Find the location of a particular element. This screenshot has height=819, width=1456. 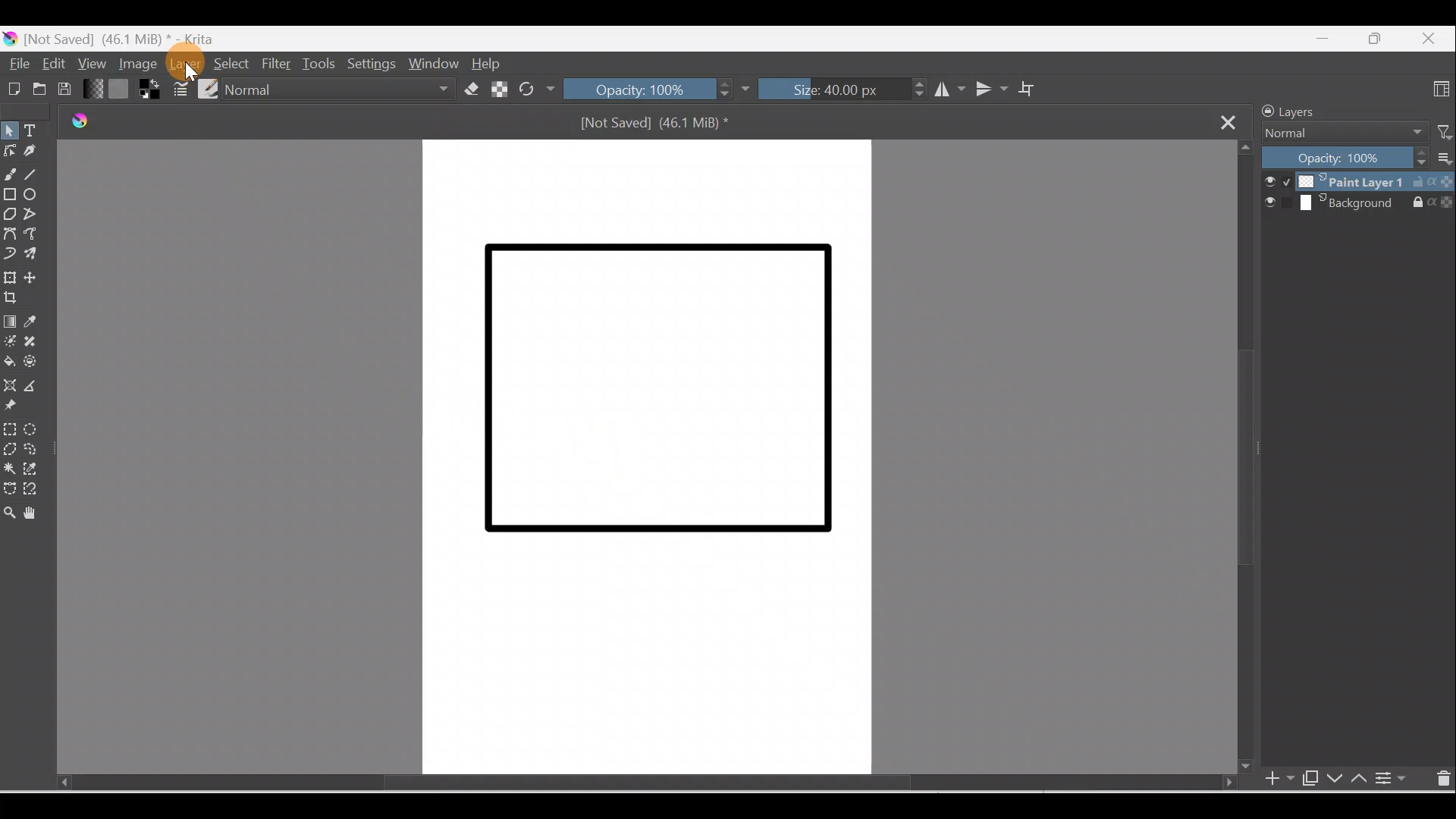

More is located at coordinates (1442, 161).